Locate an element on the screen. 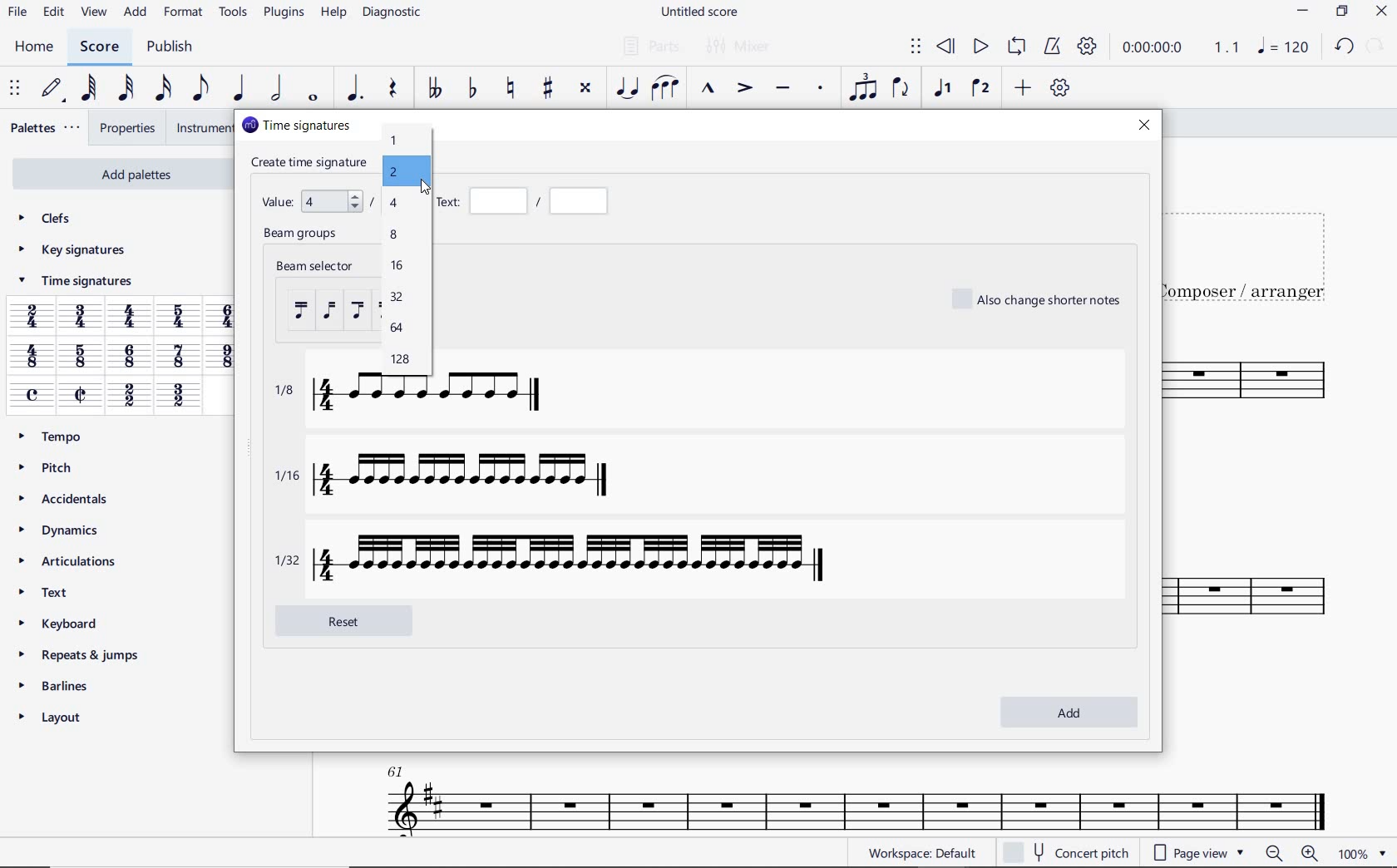 The image size is (1397, 868). HELP is located at coordinates (333, 14).